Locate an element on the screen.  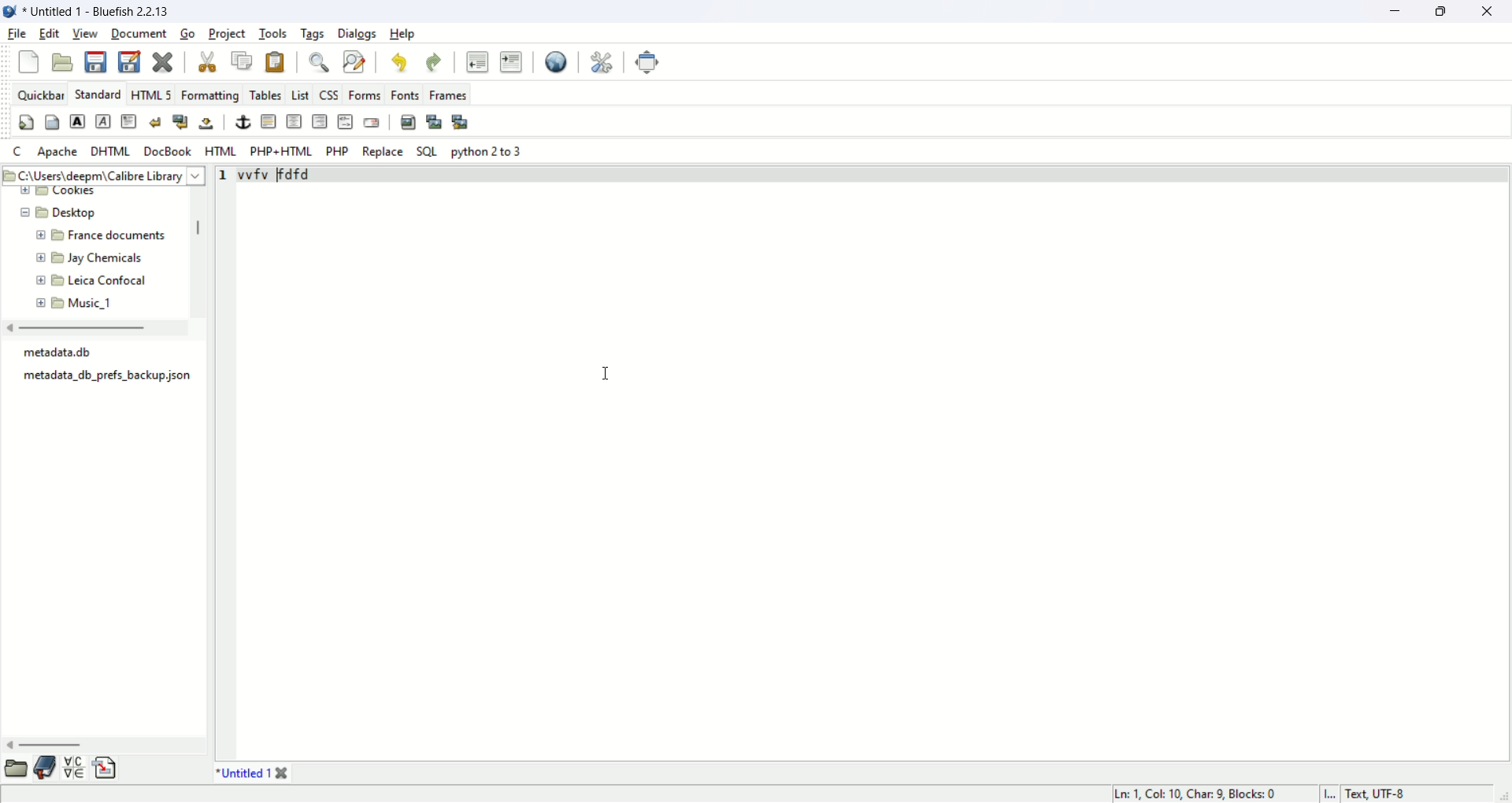
scroll bar is located at coordinates (199, 252).